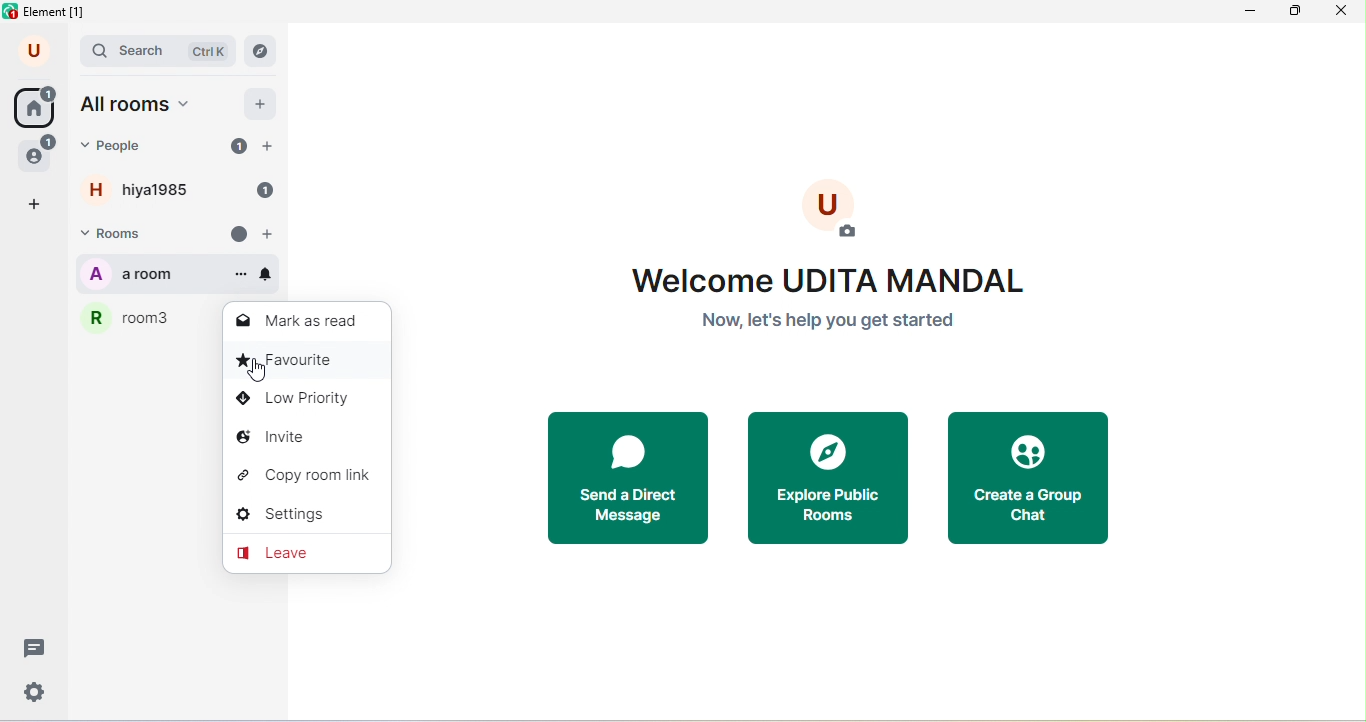 The image size is (1366, 722). What do you see at coordinates (635, 480) in the screenshot?
I see `send a direct chat` at bounding box center [635, 480].